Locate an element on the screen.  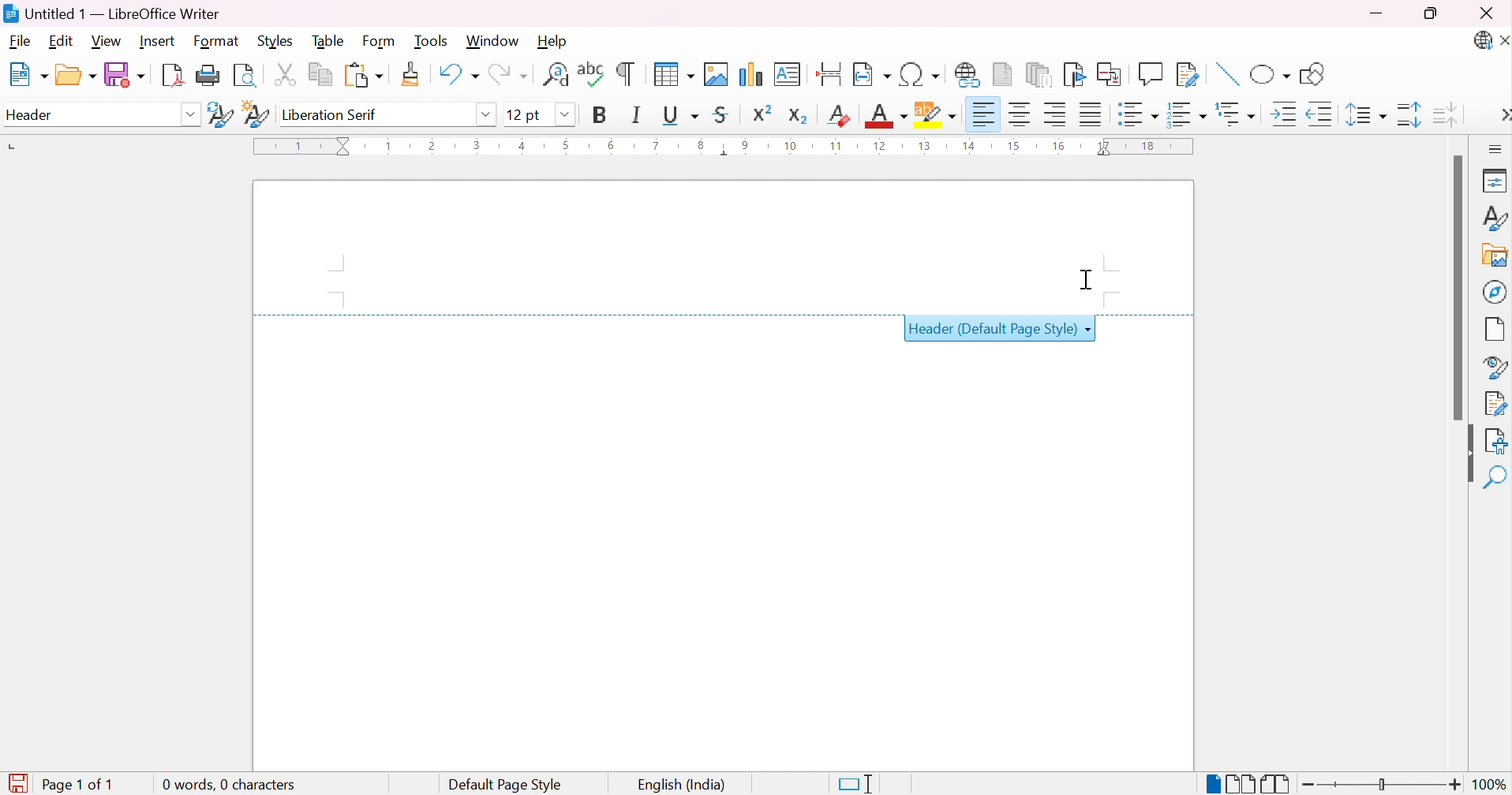
Sidebar settings is located at coordinates (1496, 149).